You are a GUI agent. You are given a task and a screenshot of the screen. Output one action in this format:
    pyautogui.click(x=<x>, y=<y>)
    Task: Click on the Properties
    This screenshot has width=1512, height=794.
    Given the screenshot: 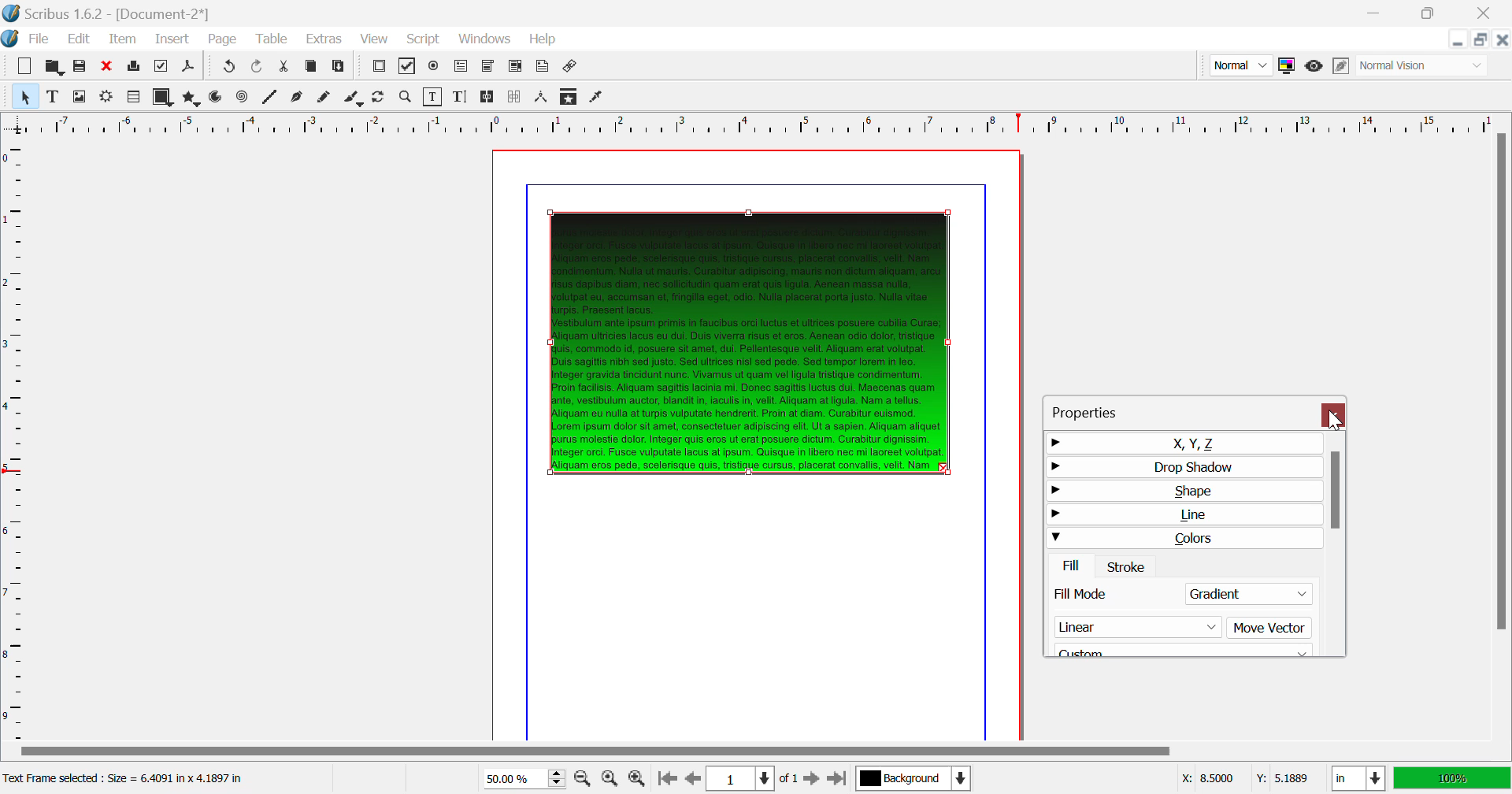 What is the action you would take?
    pyautogui.click(x=1102, y=410)
    